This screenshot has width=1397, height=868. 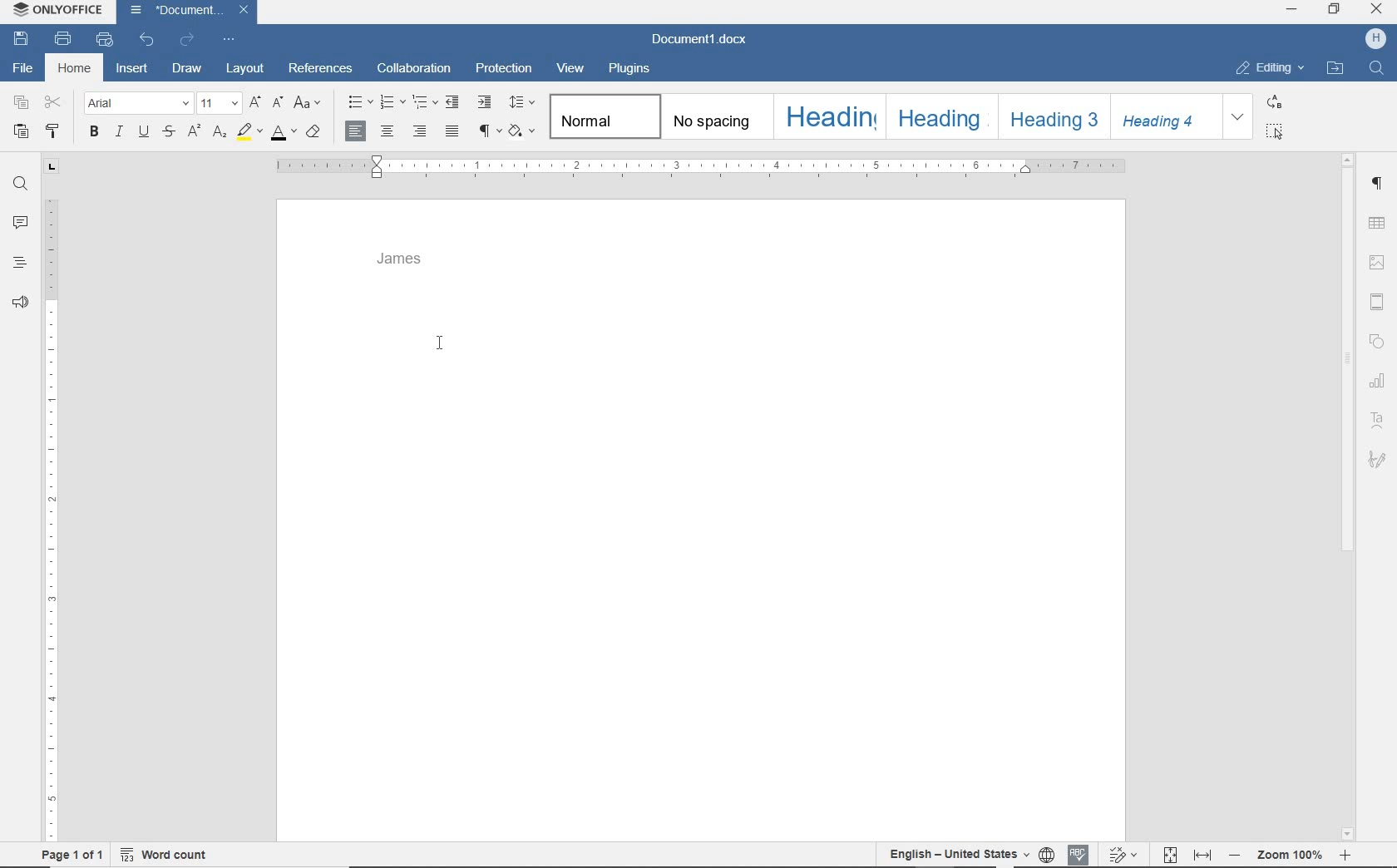 What do you see at coordinates (94, 132) in the screenshot?
I see `bold` at bounding box center [94, 132].